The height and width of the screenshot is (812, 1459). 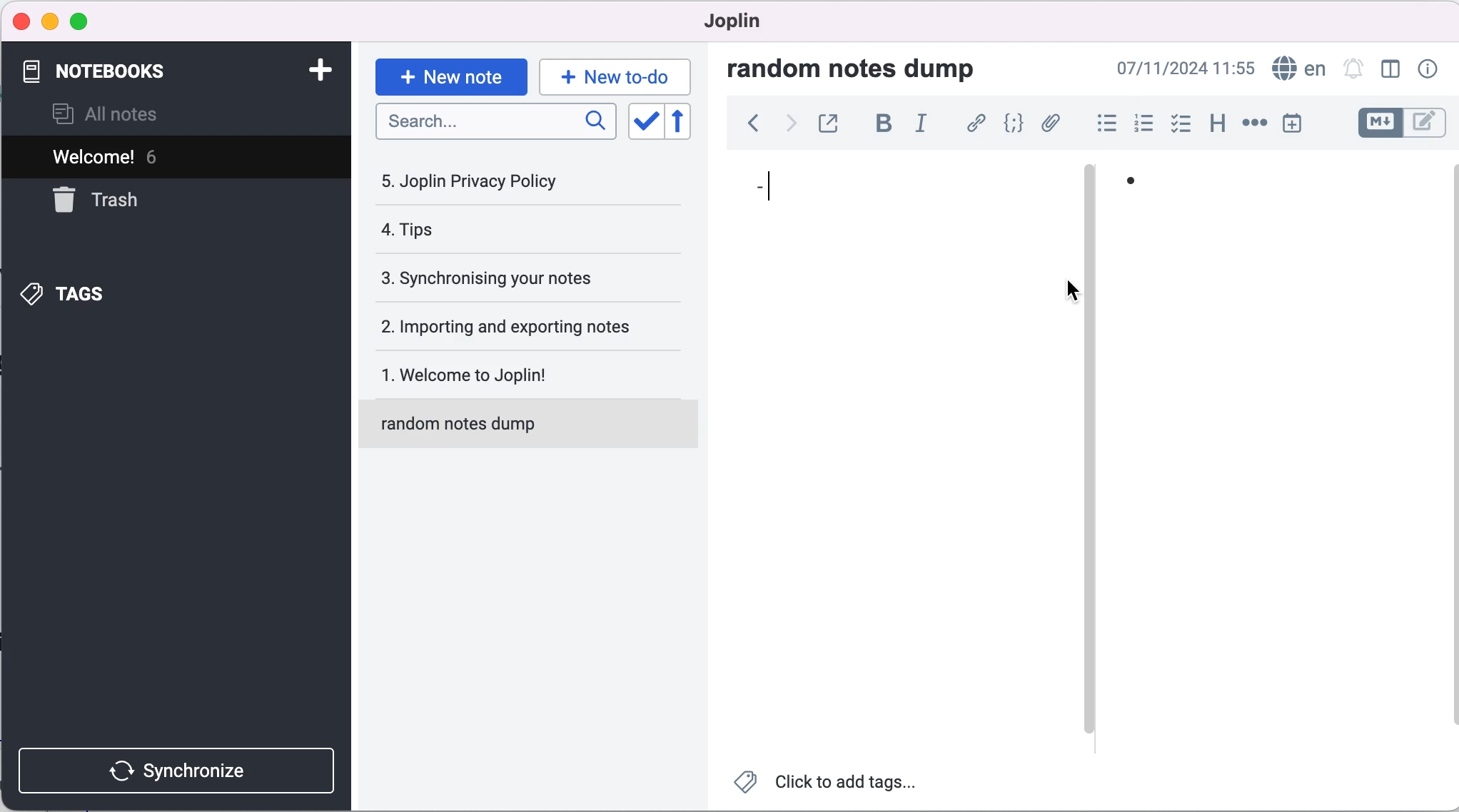 I want to click on italic, so click(x=923, y=128).